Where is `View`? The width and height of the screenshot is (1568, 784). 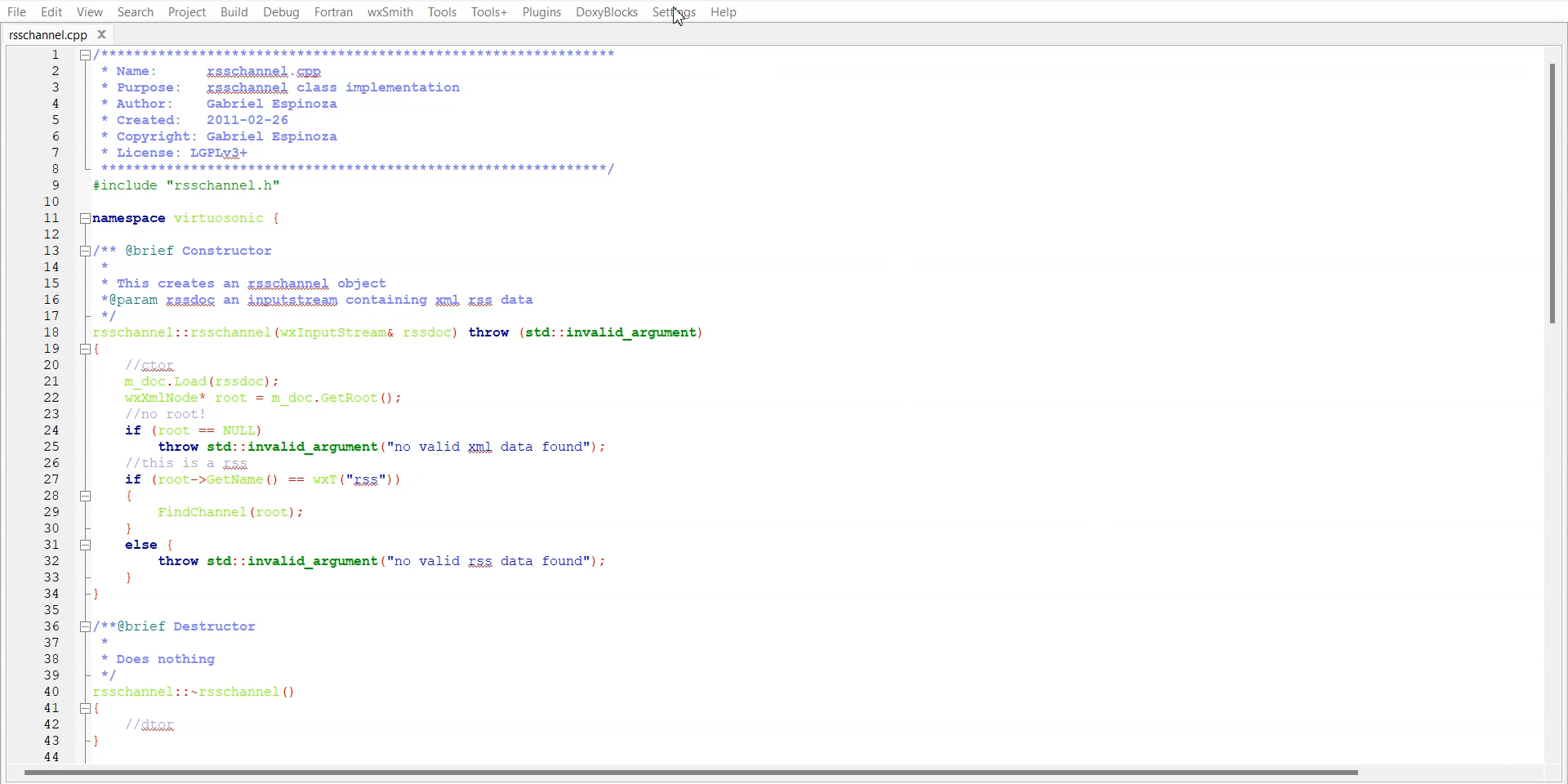 View is located at coordinates (89, 11).